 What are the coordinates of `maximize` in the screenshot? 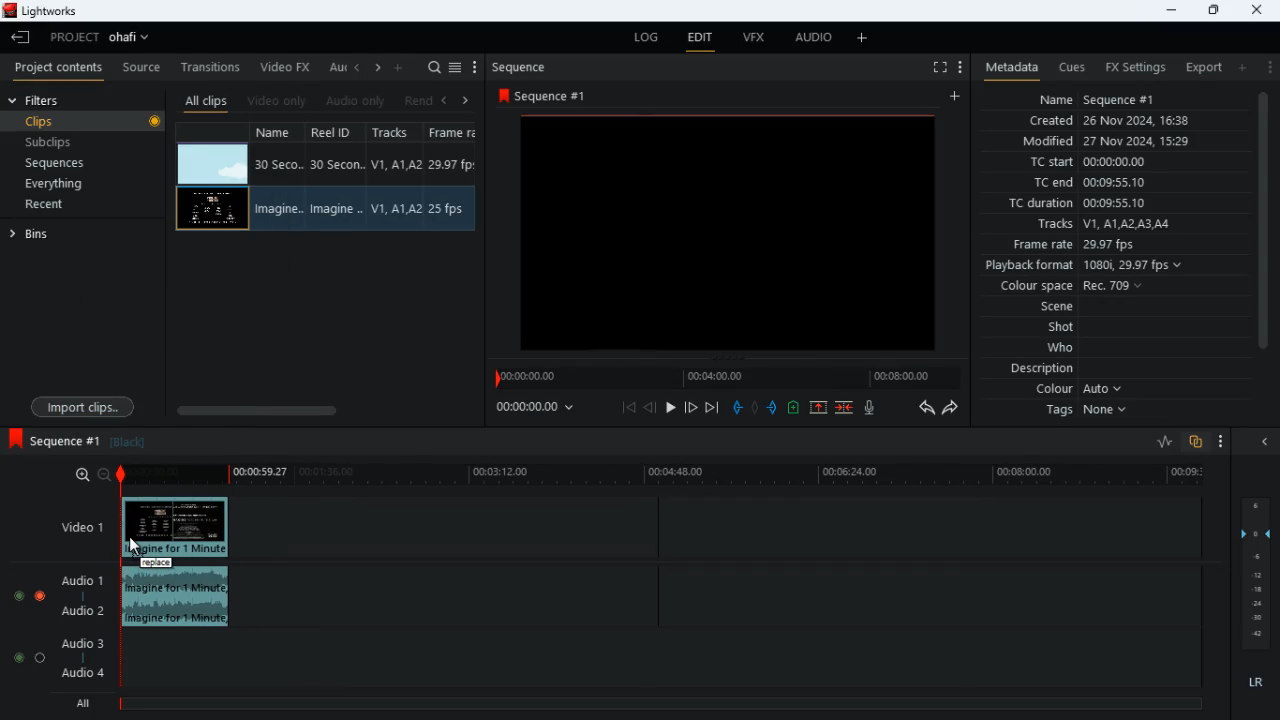 It's located at (1213, 10).